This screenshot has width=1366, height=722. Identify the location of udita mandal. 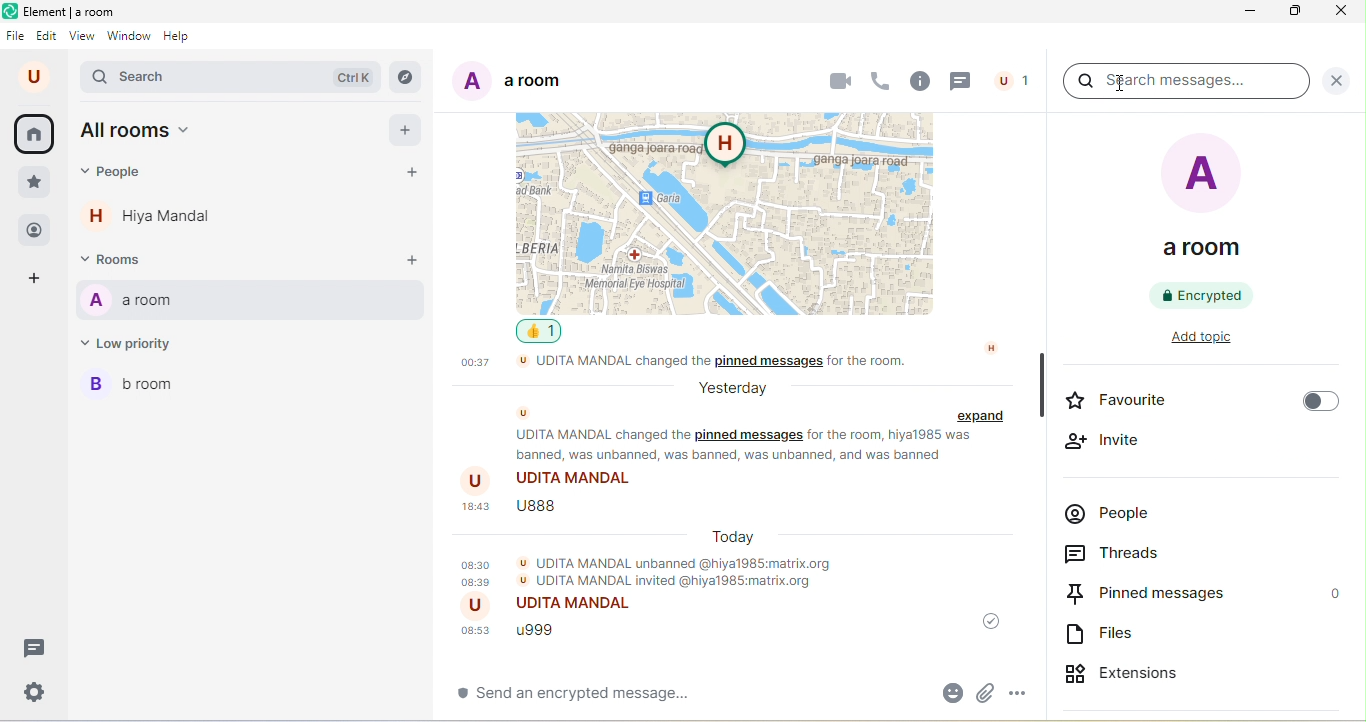
(552, 480).